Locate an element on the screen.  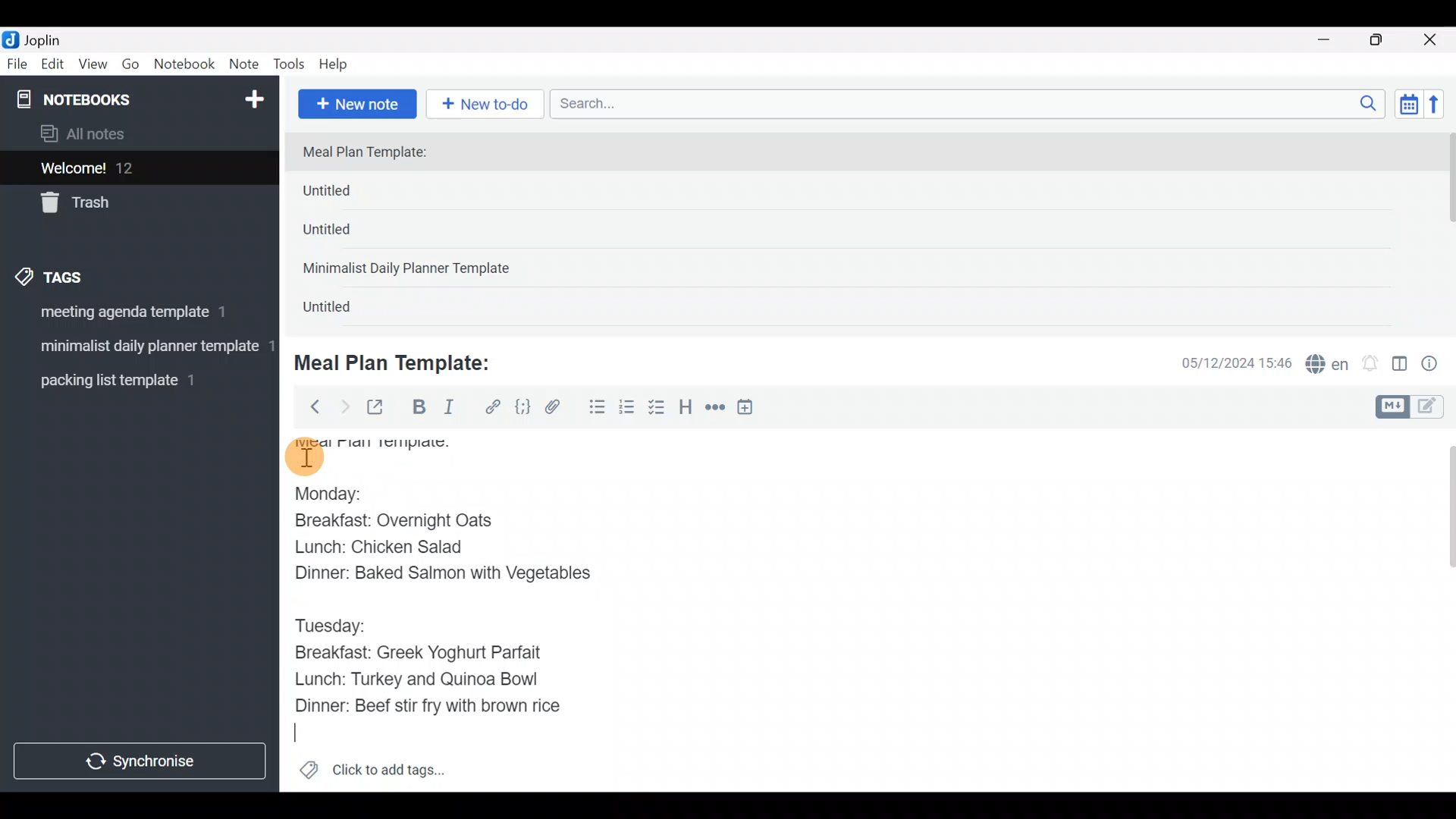
Help is located at coordinates (339, 61).